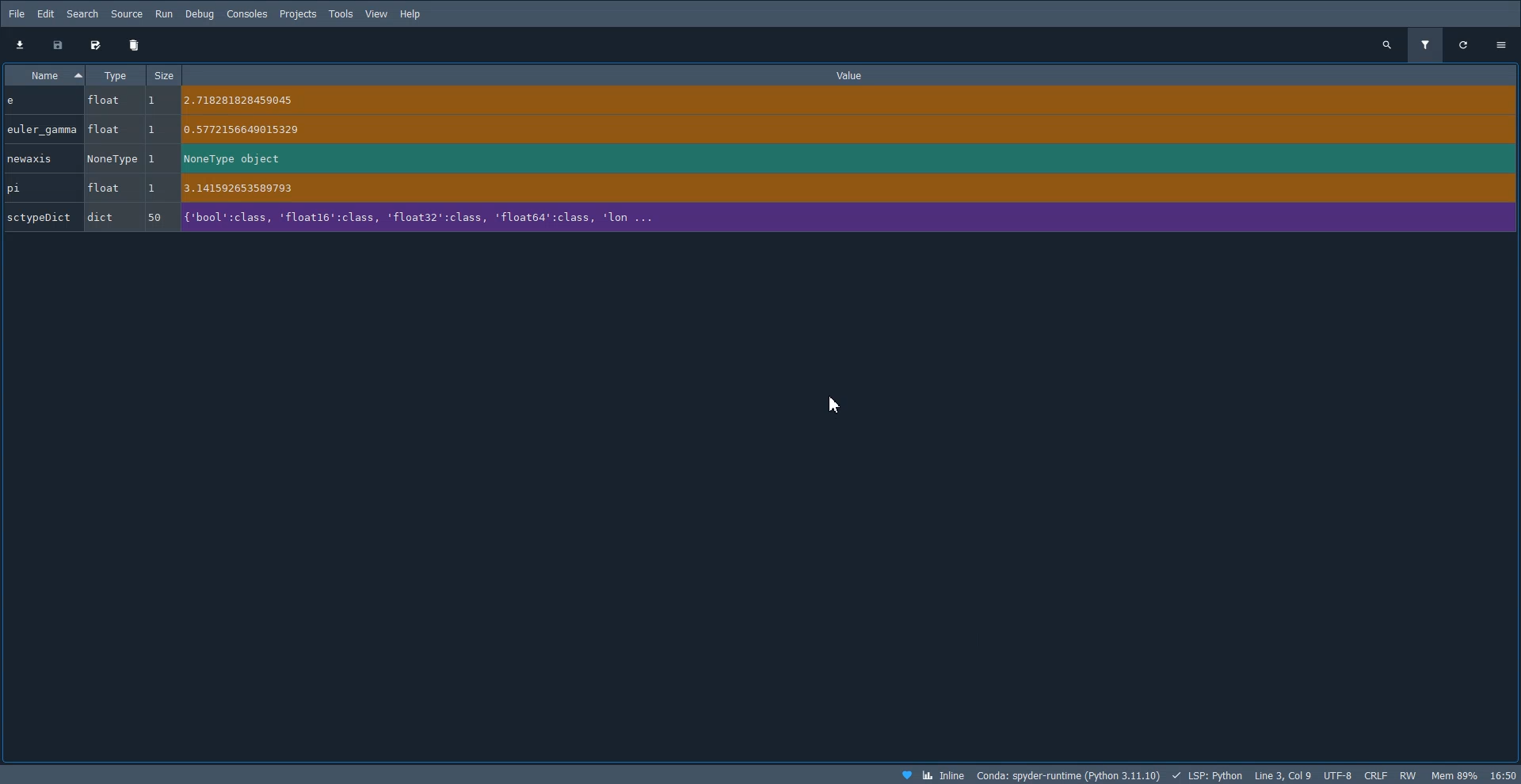 Image resolution: width=1521 pixels, height=784 pixels. Describe the element at coordinates (103, 101) in the screenshot. I see `float` at that location.